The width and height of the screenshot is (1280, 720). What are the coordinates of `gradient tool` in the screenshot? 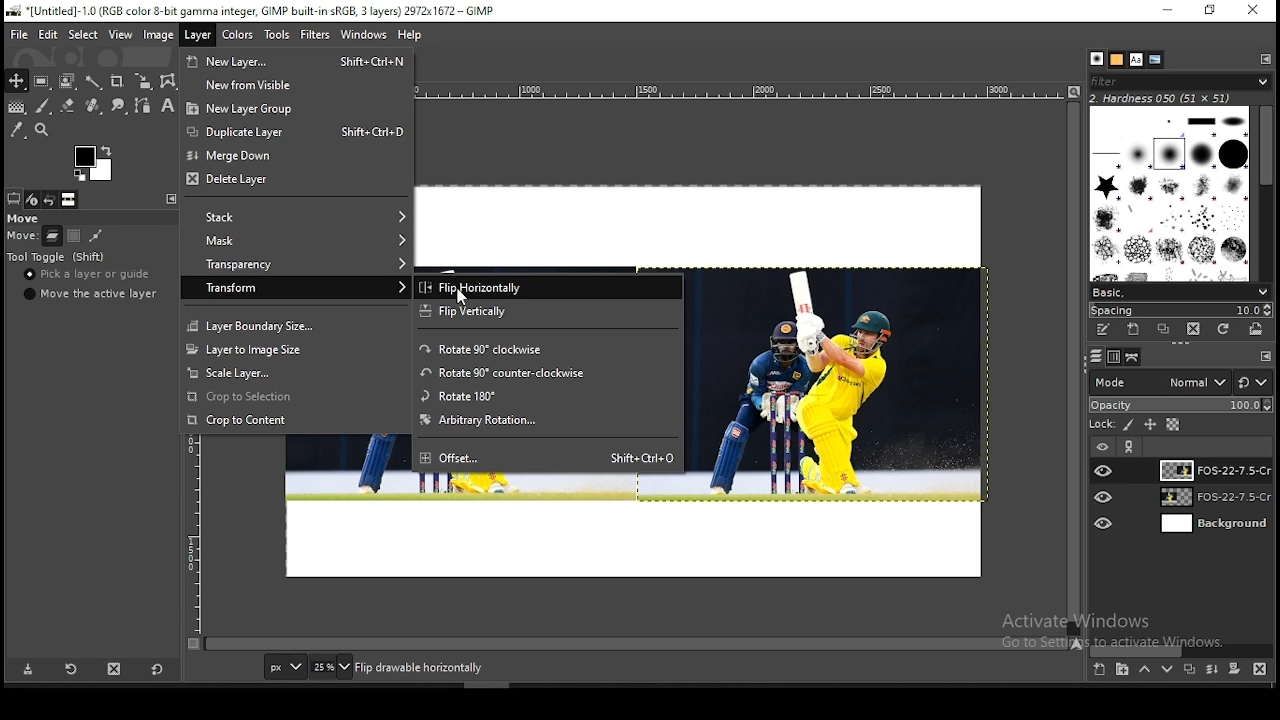 It's located at (16, 108).